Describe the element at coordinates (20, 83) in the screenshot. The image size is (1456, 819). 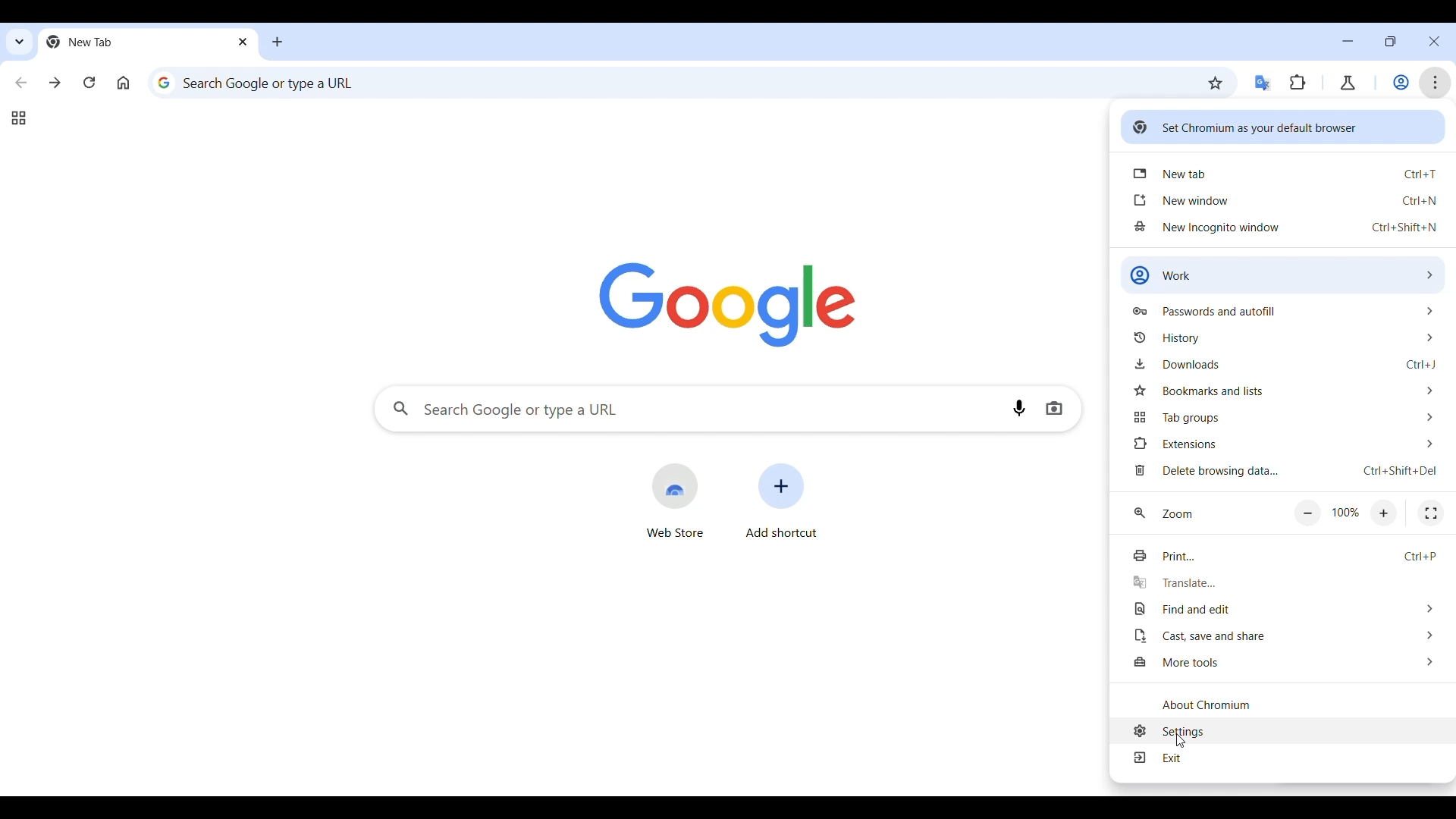
I see `Go back` at that location.